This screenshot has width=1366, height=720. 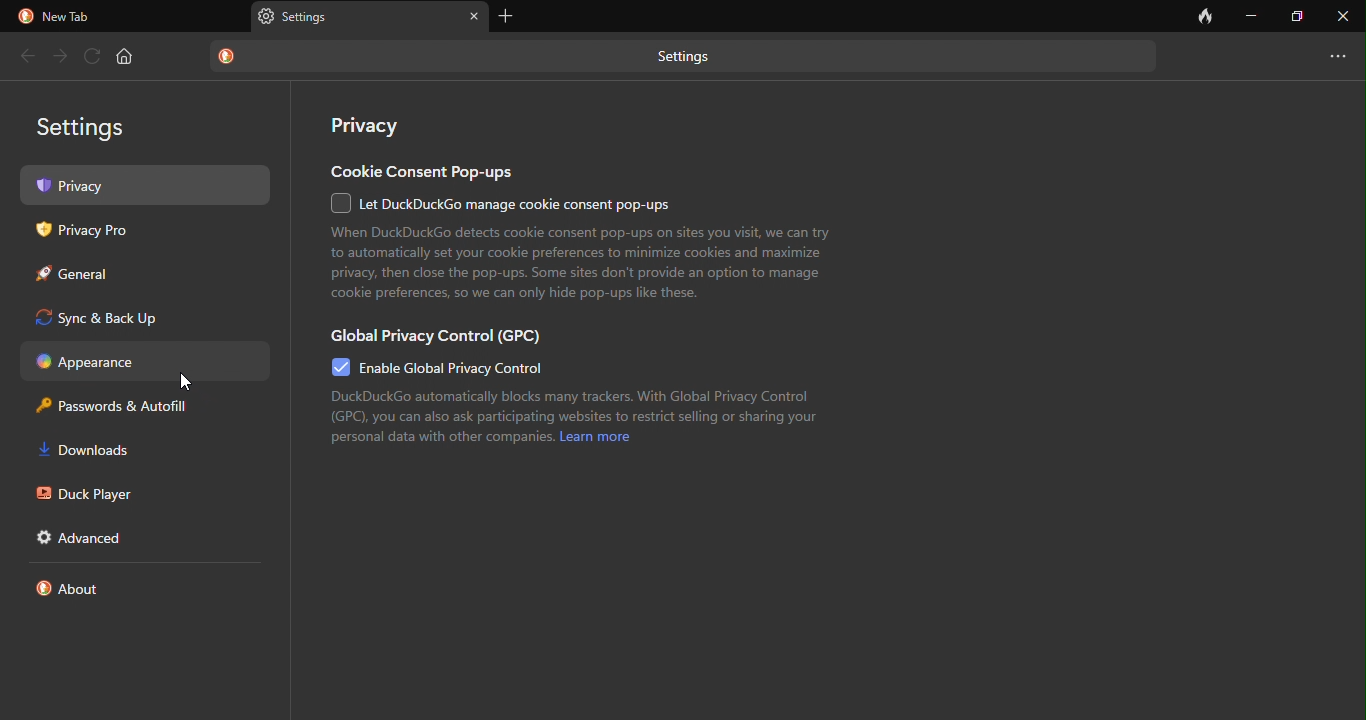 What do you see at coordinates (590, 421) in the screenshot?
I see `text o global privacy control` at bounding box center [590, 421].